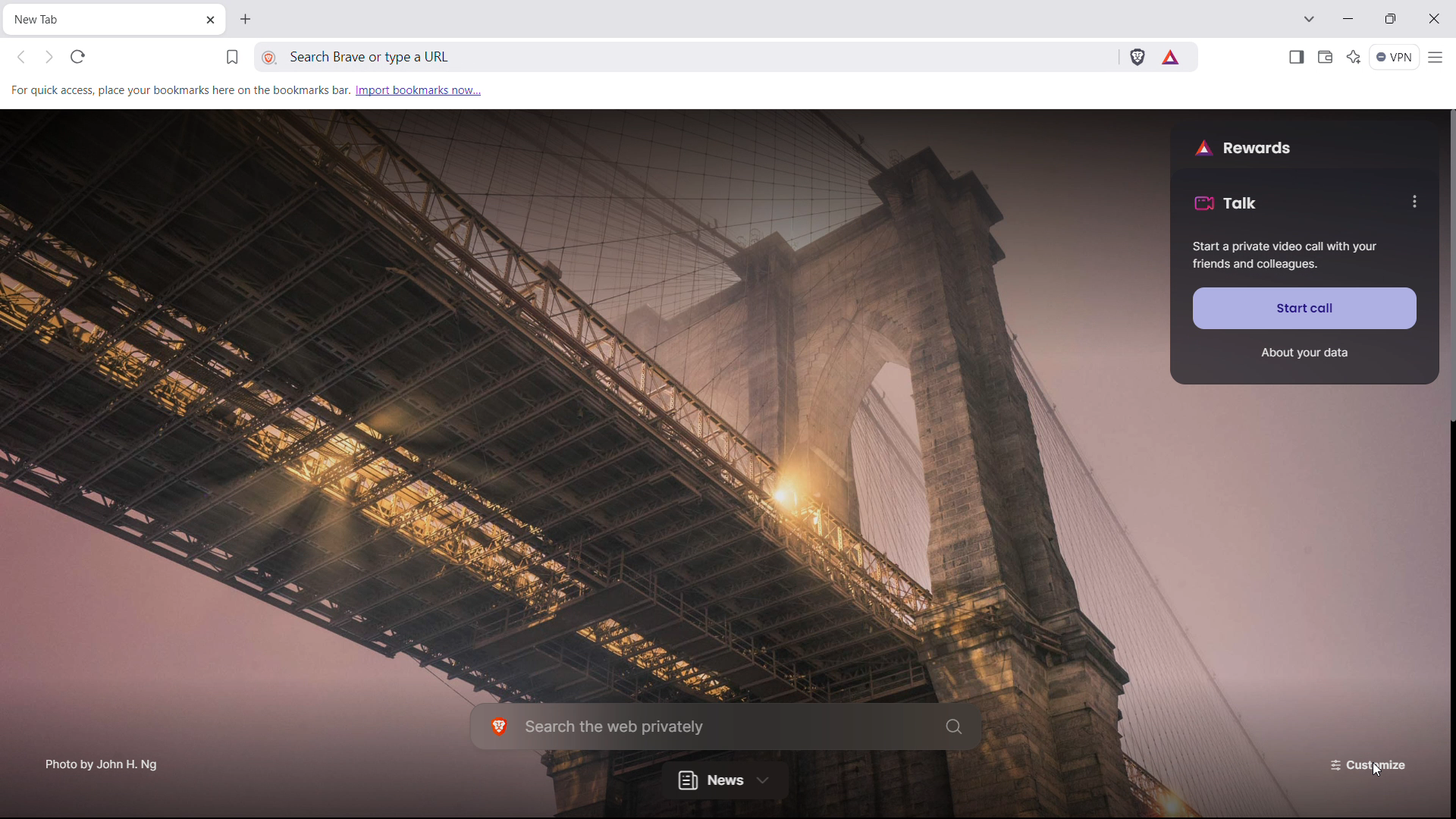 This screenshot has height=819, width=1456. Describe the element at coordinates (1295, 58) in the screenshot. I see `open sidebar` at that location.